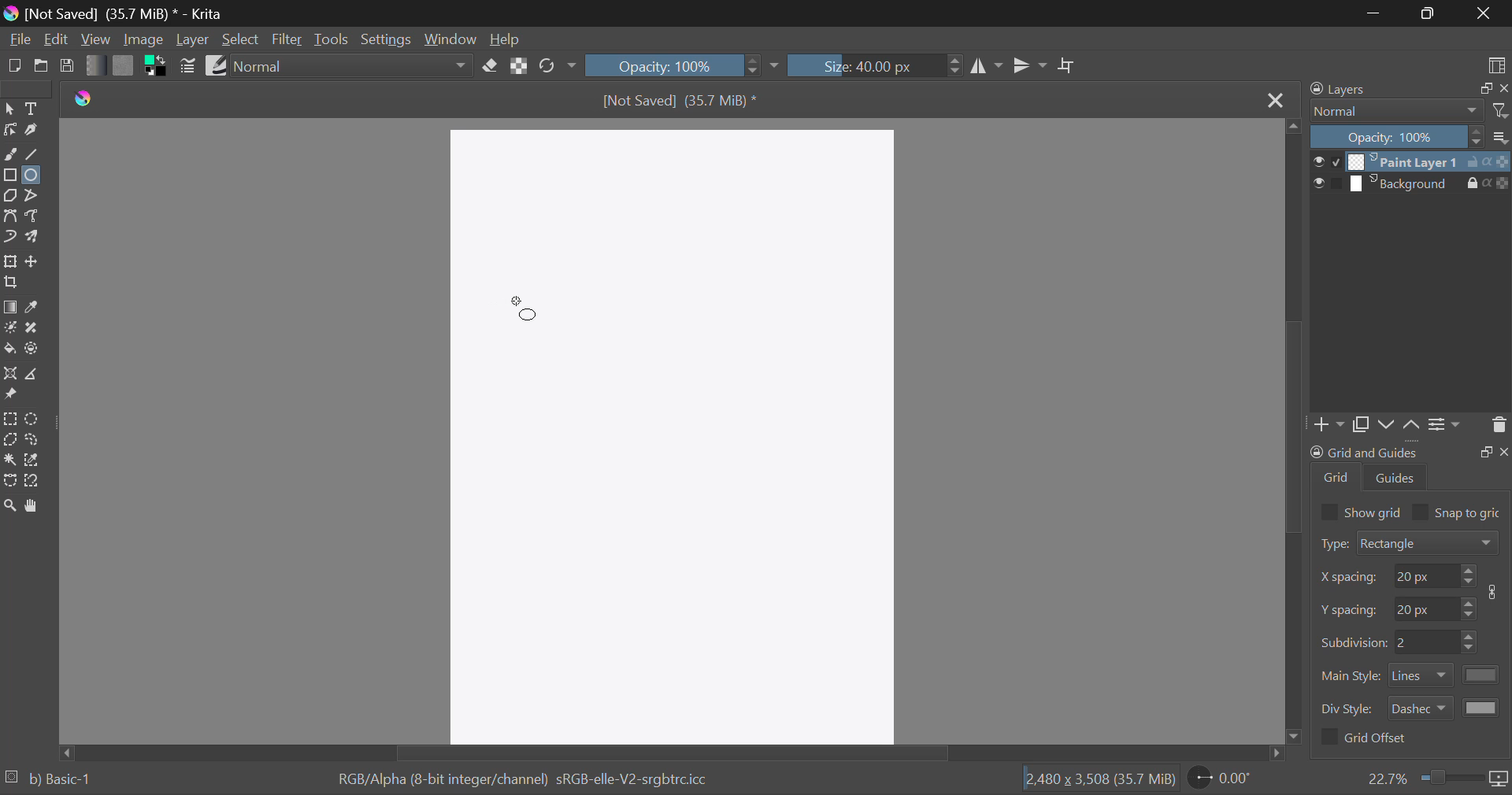 The height and width of the screenshot is (795, 1512). Describe the element at coordinates (684, 102) in the screenshot. I see `File Name & Size` at that location.